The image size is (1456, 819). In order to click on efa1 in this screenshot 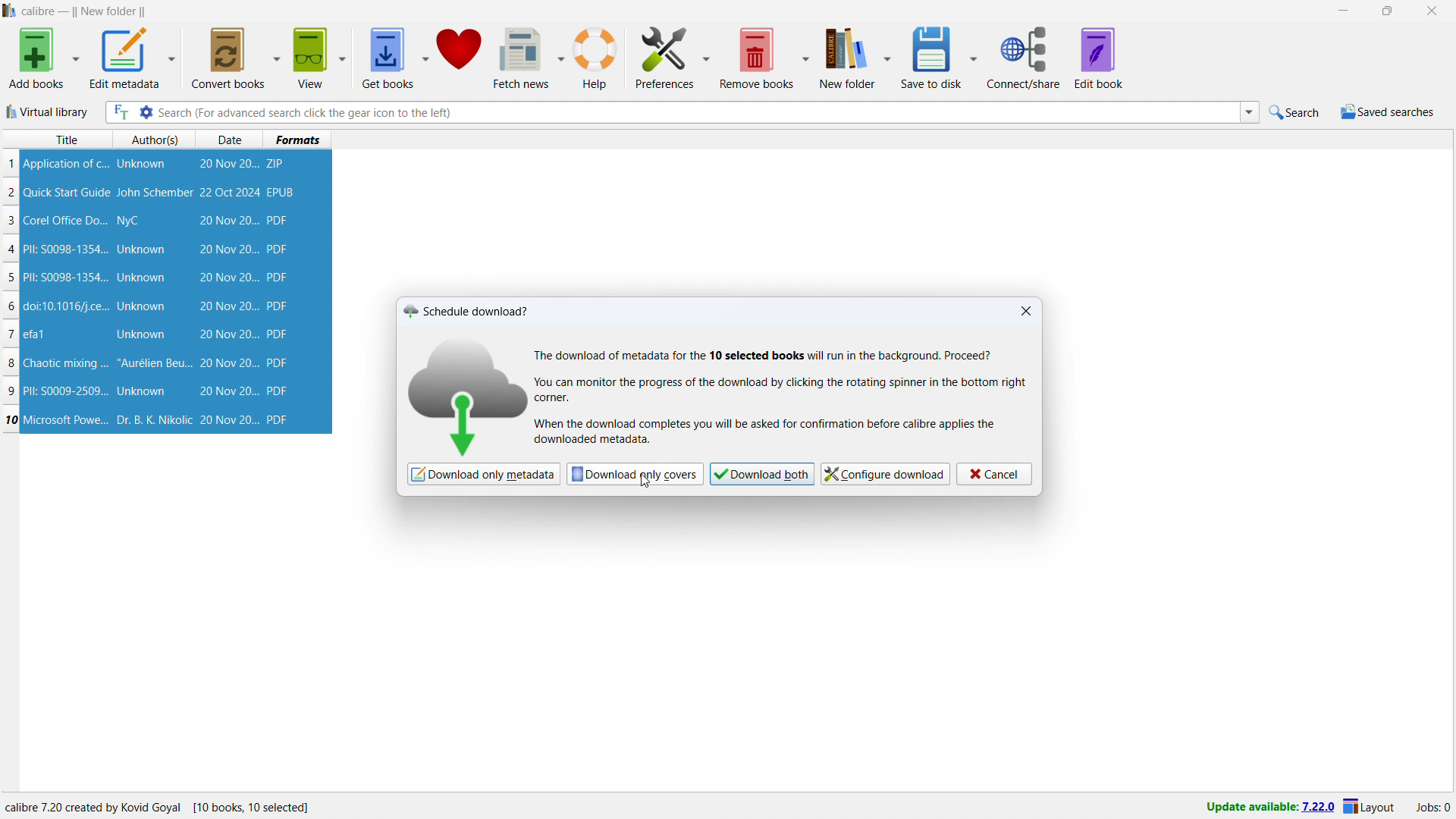, I will do `click(36, 334)`.